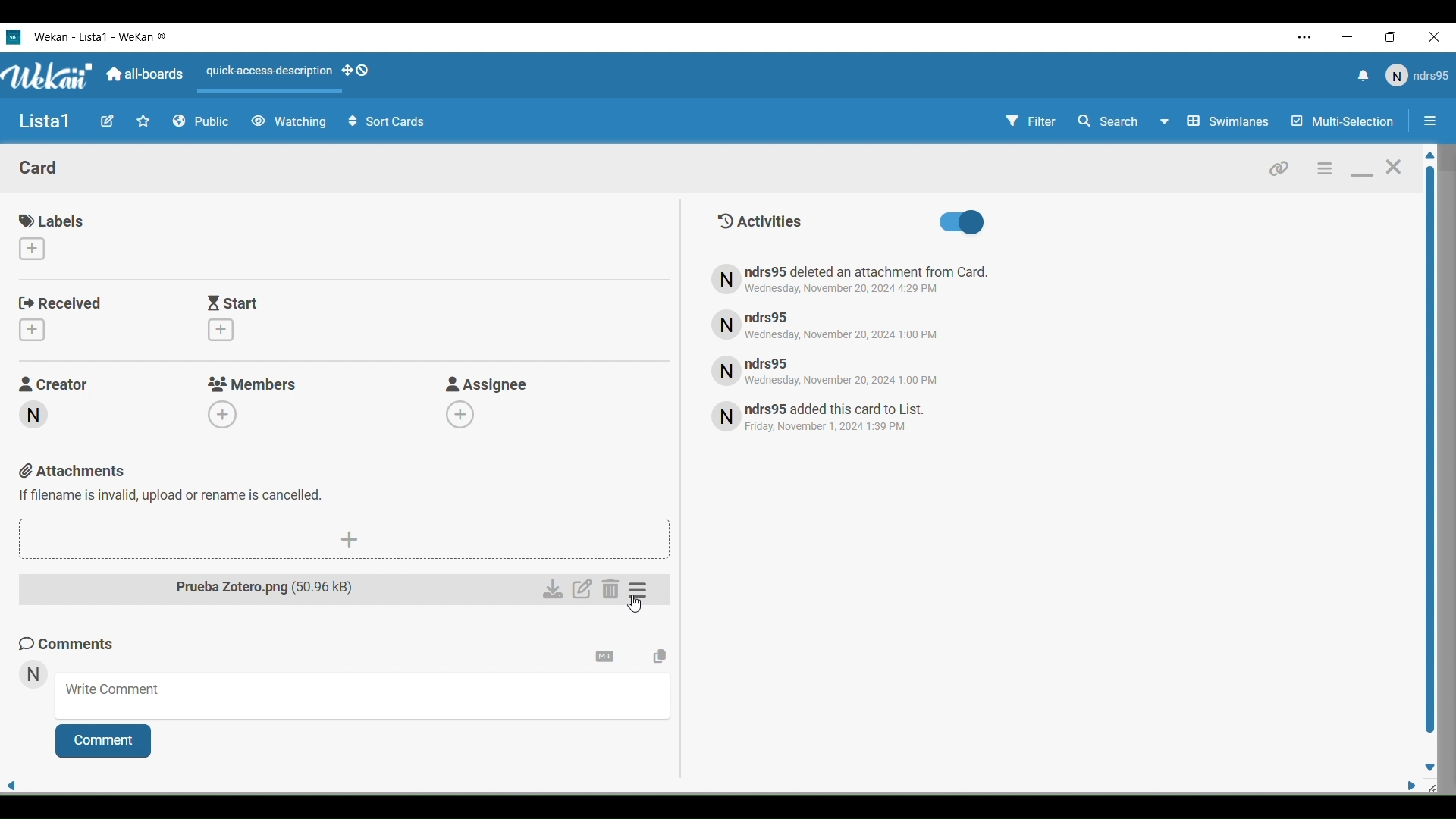 Image resolution: width=1456 pixels, height=819 pixels. What do you see at coordinates (344, 540) in the screenshot?
I see `Add attachments button` at bounding box center [344, 540].